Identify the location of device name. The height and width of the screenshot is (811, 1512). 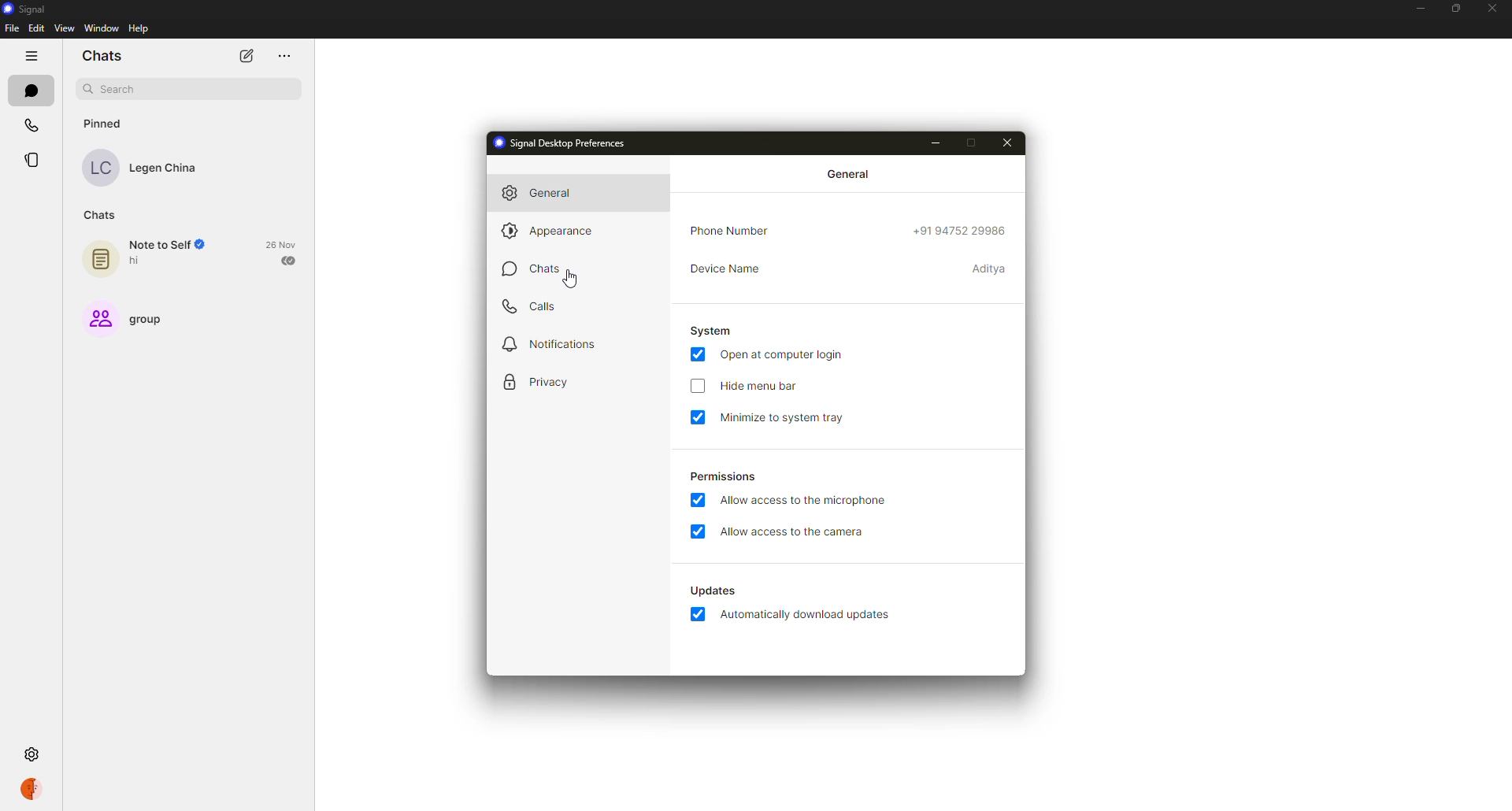
(989, 269).